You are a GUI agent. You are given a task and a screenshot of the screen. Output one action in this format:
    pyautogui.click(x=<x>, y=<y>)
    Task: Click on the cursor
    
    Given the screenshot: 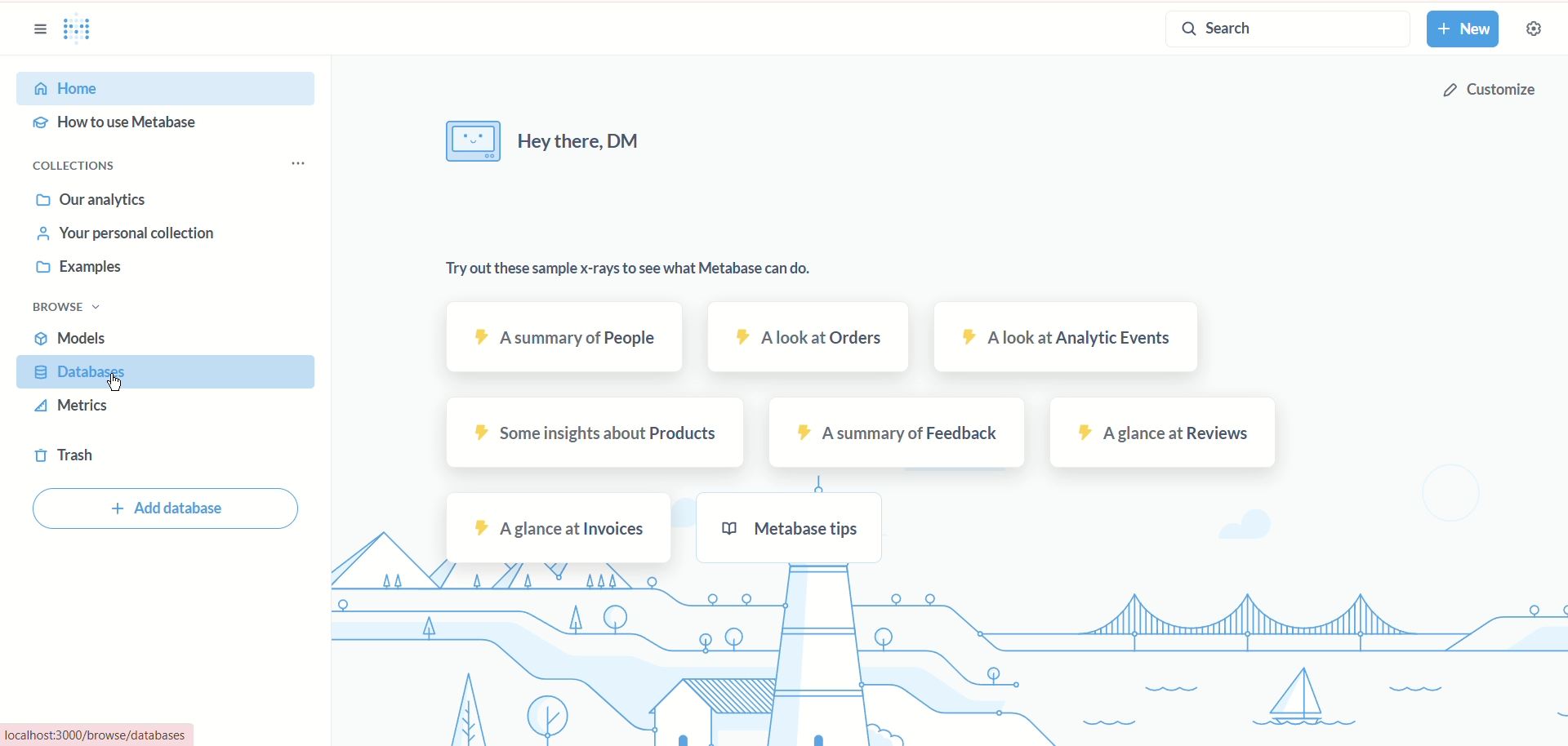 What is the action you would take?
    pyautogui.click(x=111, y=380)
    